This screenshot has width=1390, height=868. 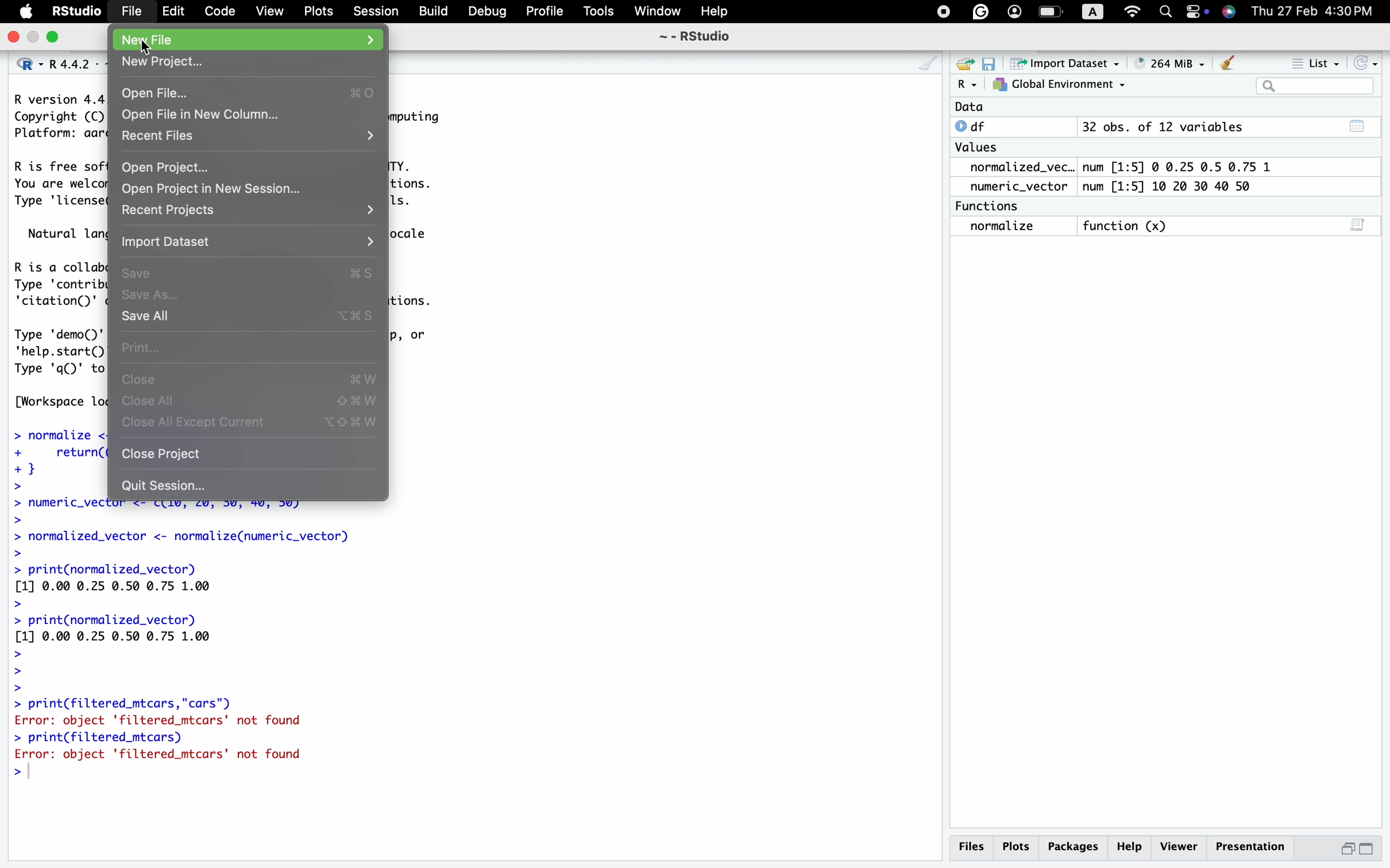 What do you see at coordinates (711, 10) in the screenshot?
I see `help` at bounding box center [711, 10].